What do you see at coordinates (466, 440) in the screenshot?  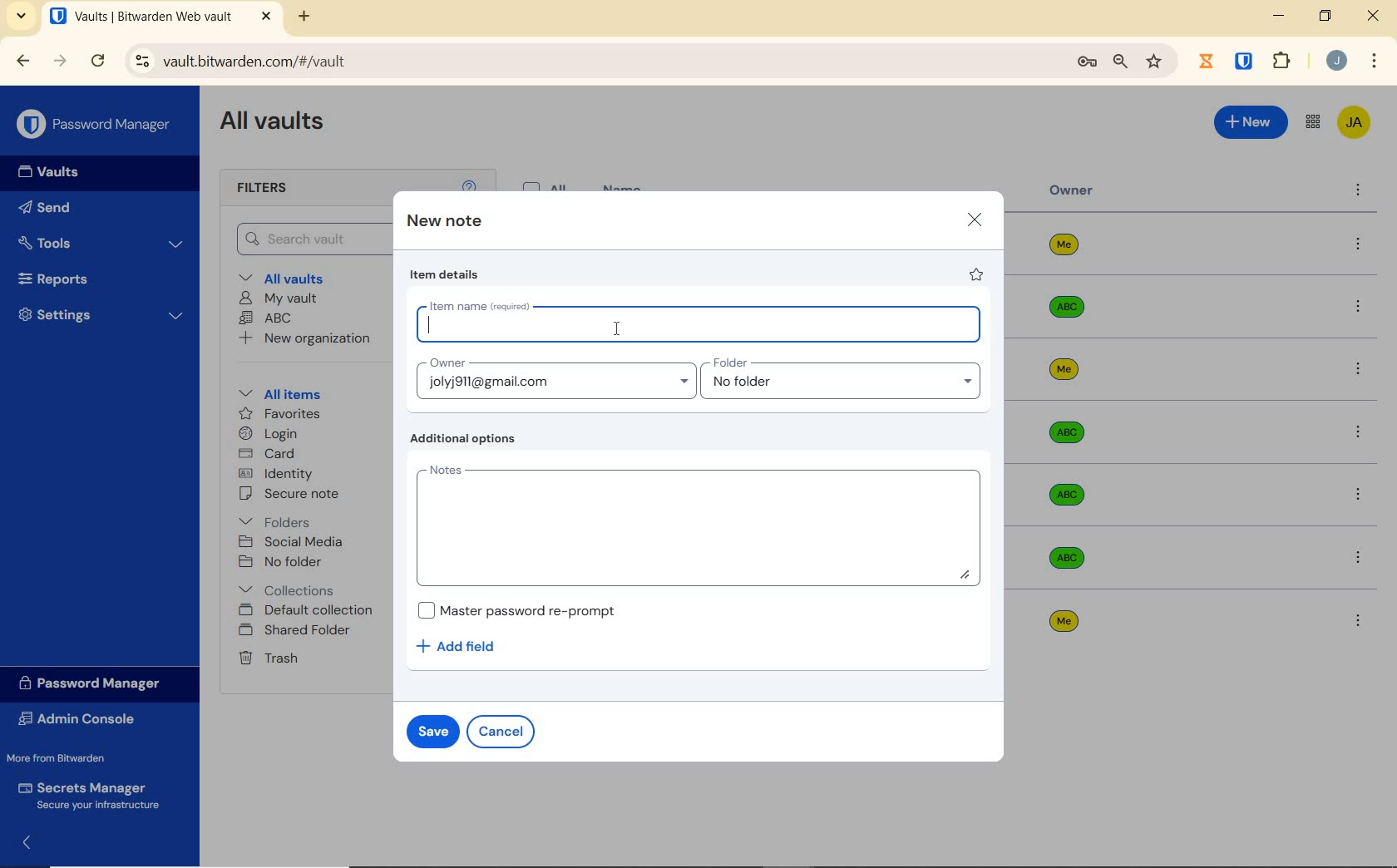 I see `Additional options` at bounding box center [466, 440].